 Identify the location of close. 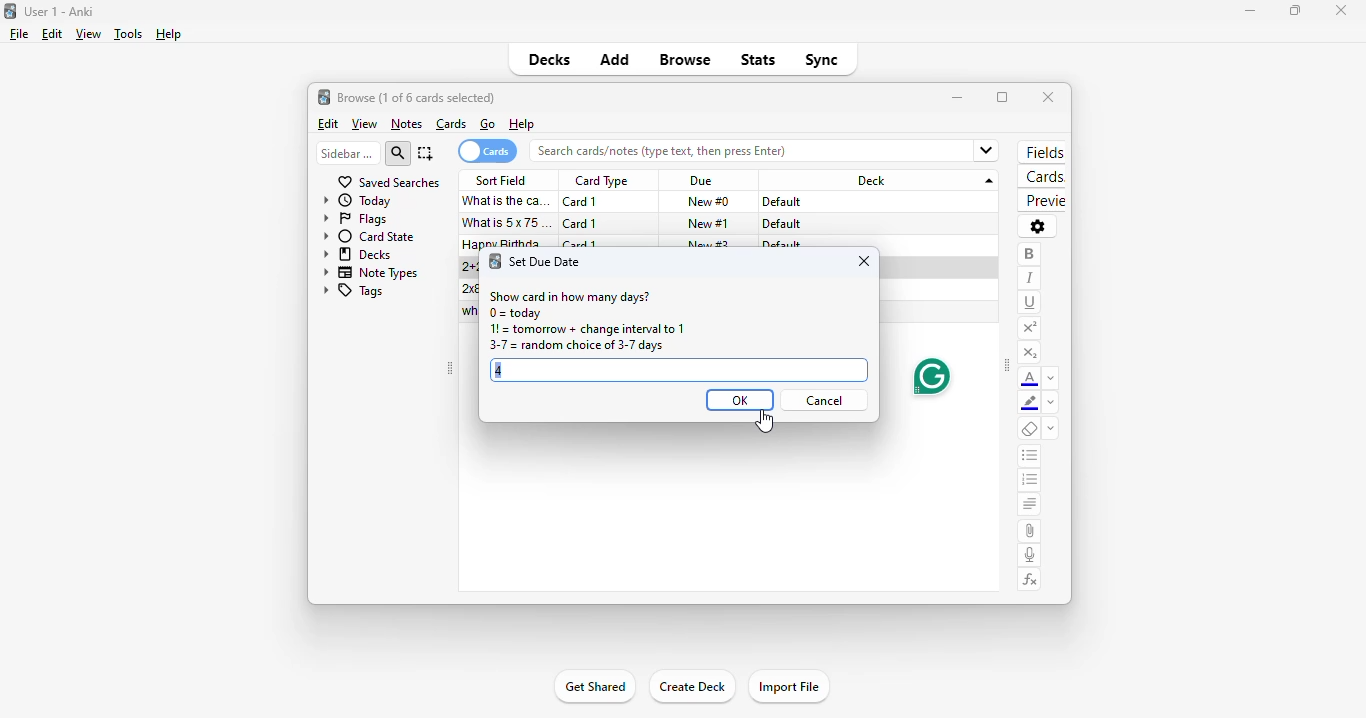
(1048, 97).